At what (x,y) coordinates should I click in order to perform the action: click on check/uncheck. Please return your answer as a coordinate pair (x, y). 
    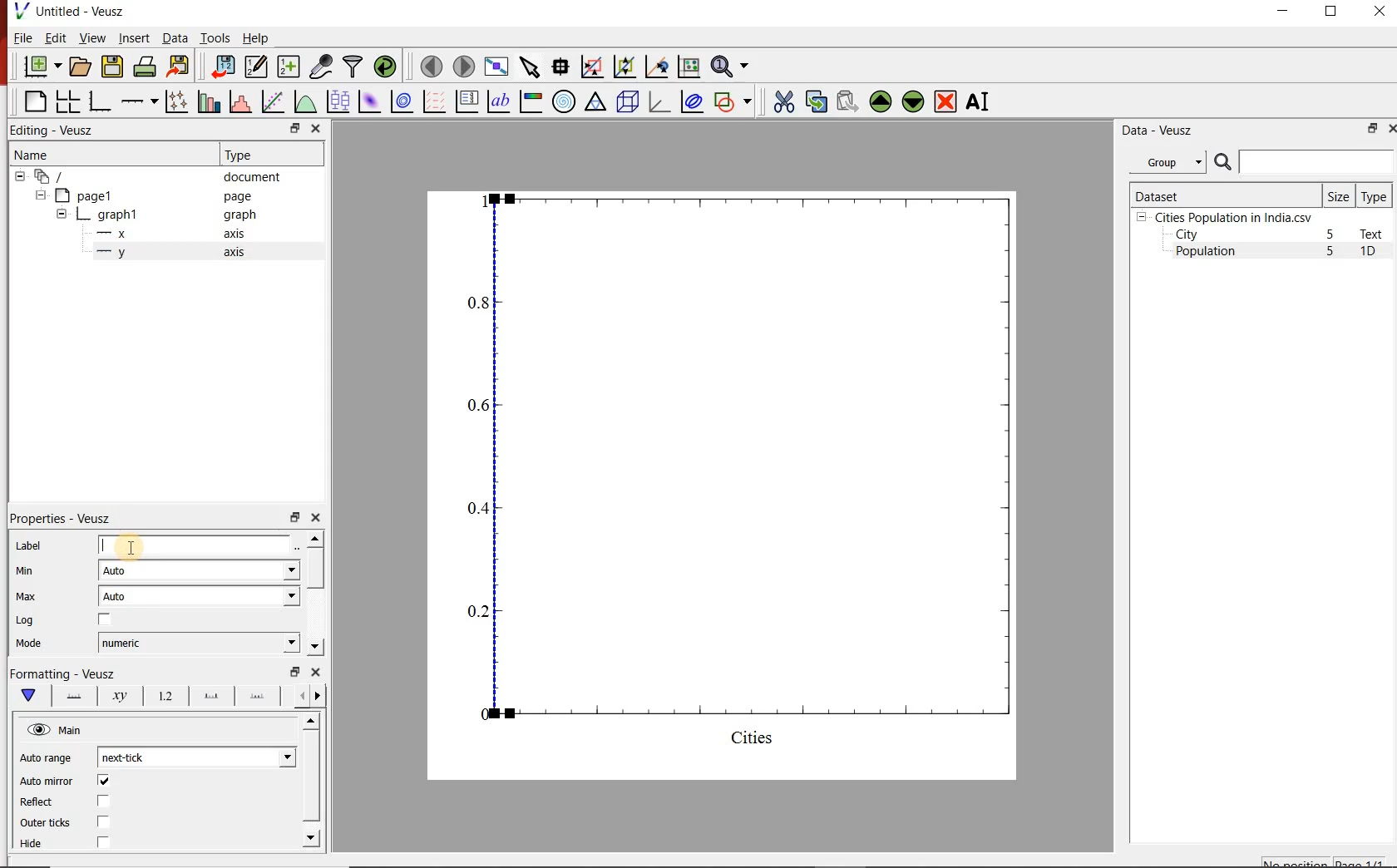
    Looking at the image, I should click on (102, 845).